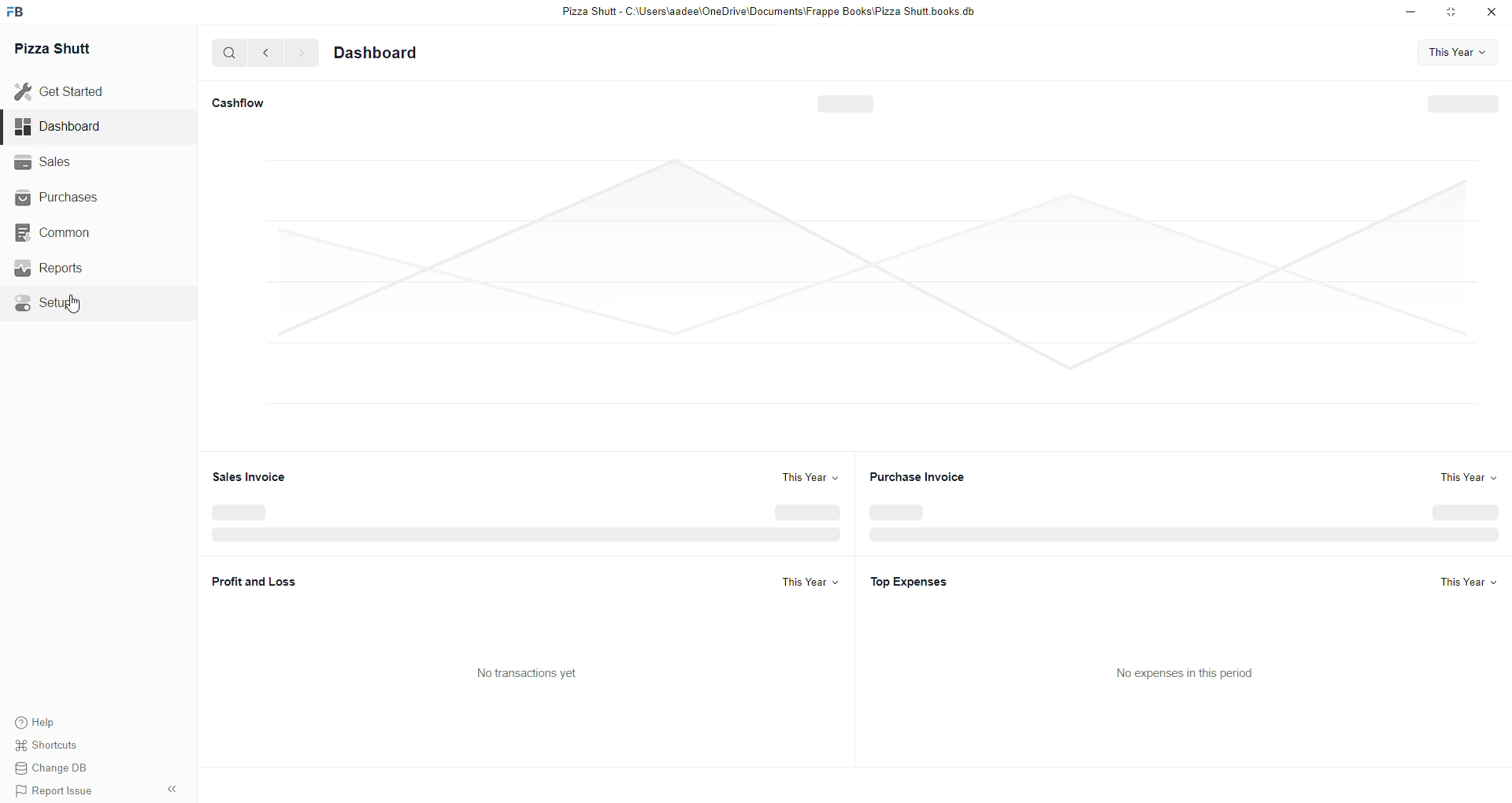 Image resolution: width=1512 pixels, height=803 pixels. Describe the element at coordinates (1467, 584) in the screenshot. I see `Top expenses timeframe` at that location.